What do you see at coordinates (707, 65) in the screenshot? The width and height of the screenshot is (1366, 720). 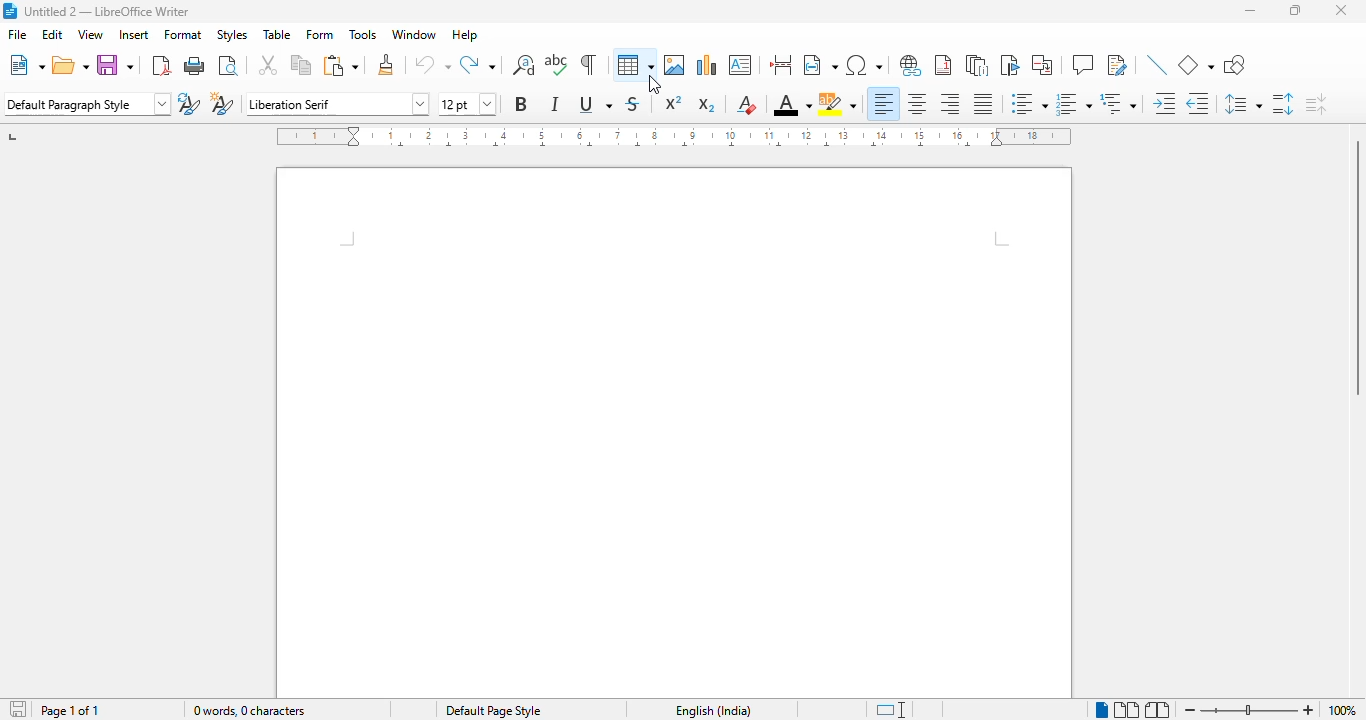 I see `insert chart` at bounding box center [707, 65].